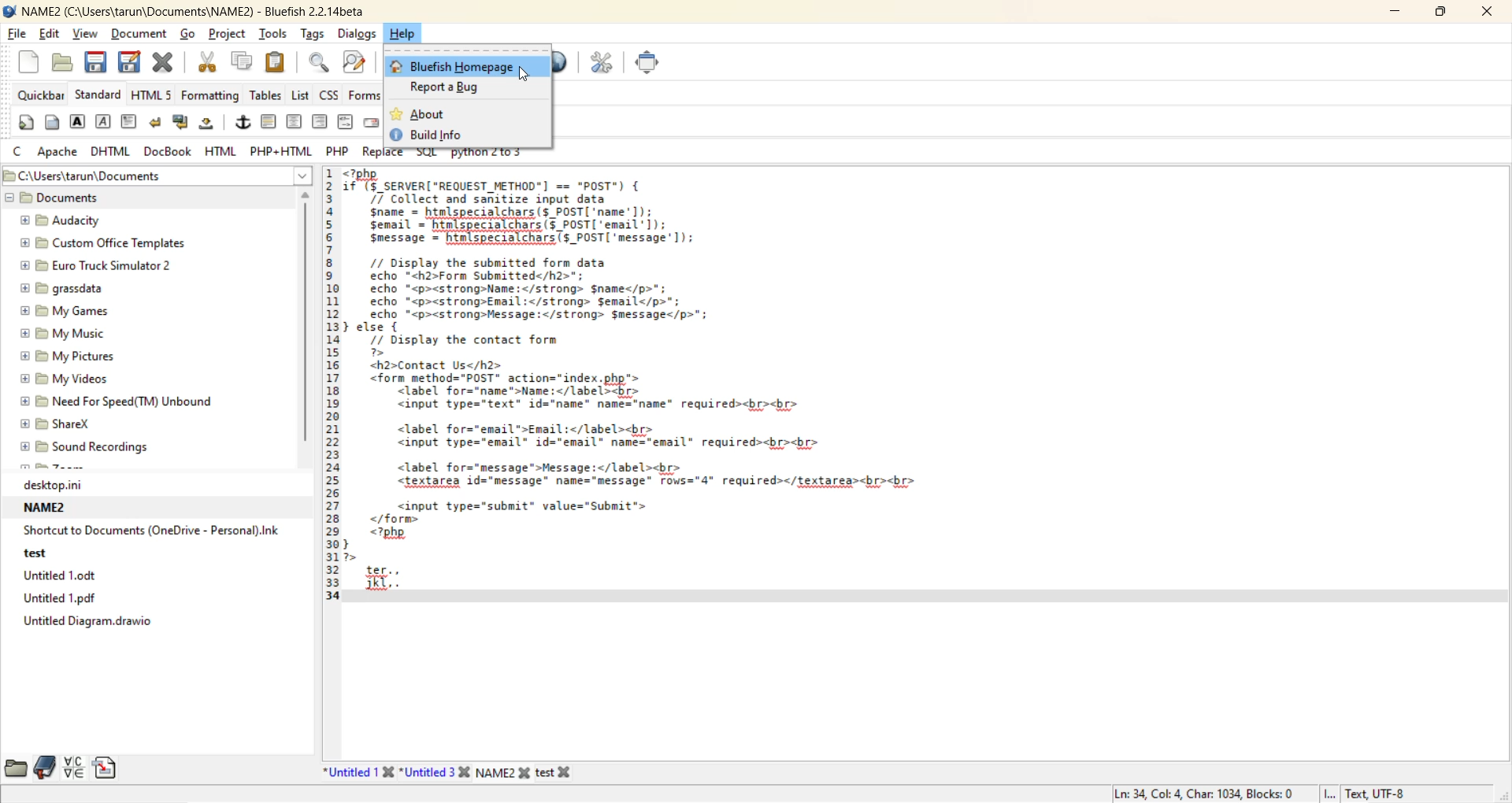  I want to click on project, so click(224, 33).